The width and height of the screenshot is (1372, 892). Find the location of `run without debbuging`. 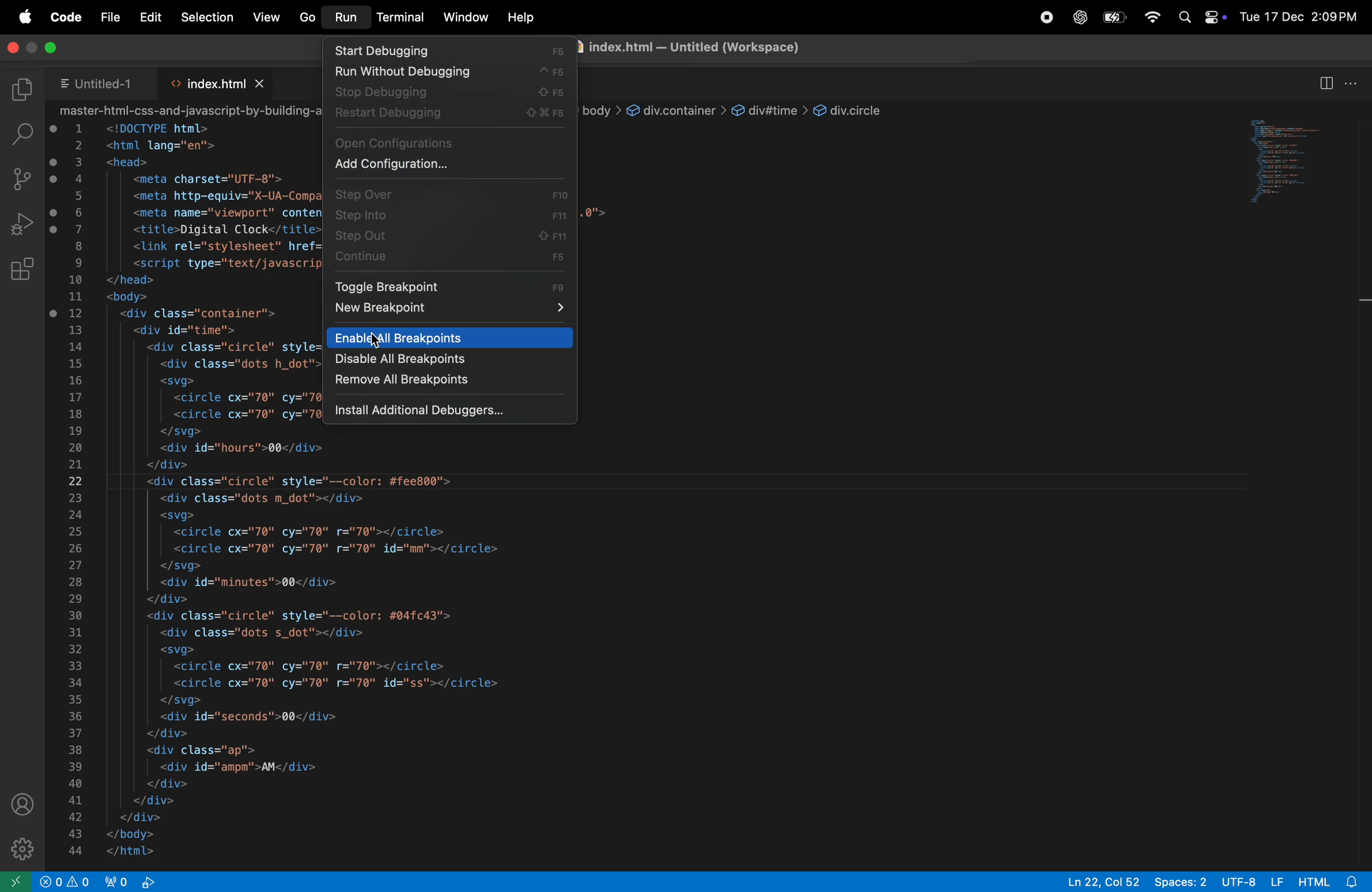

run without debbuging is located at coordinates (450, 73).